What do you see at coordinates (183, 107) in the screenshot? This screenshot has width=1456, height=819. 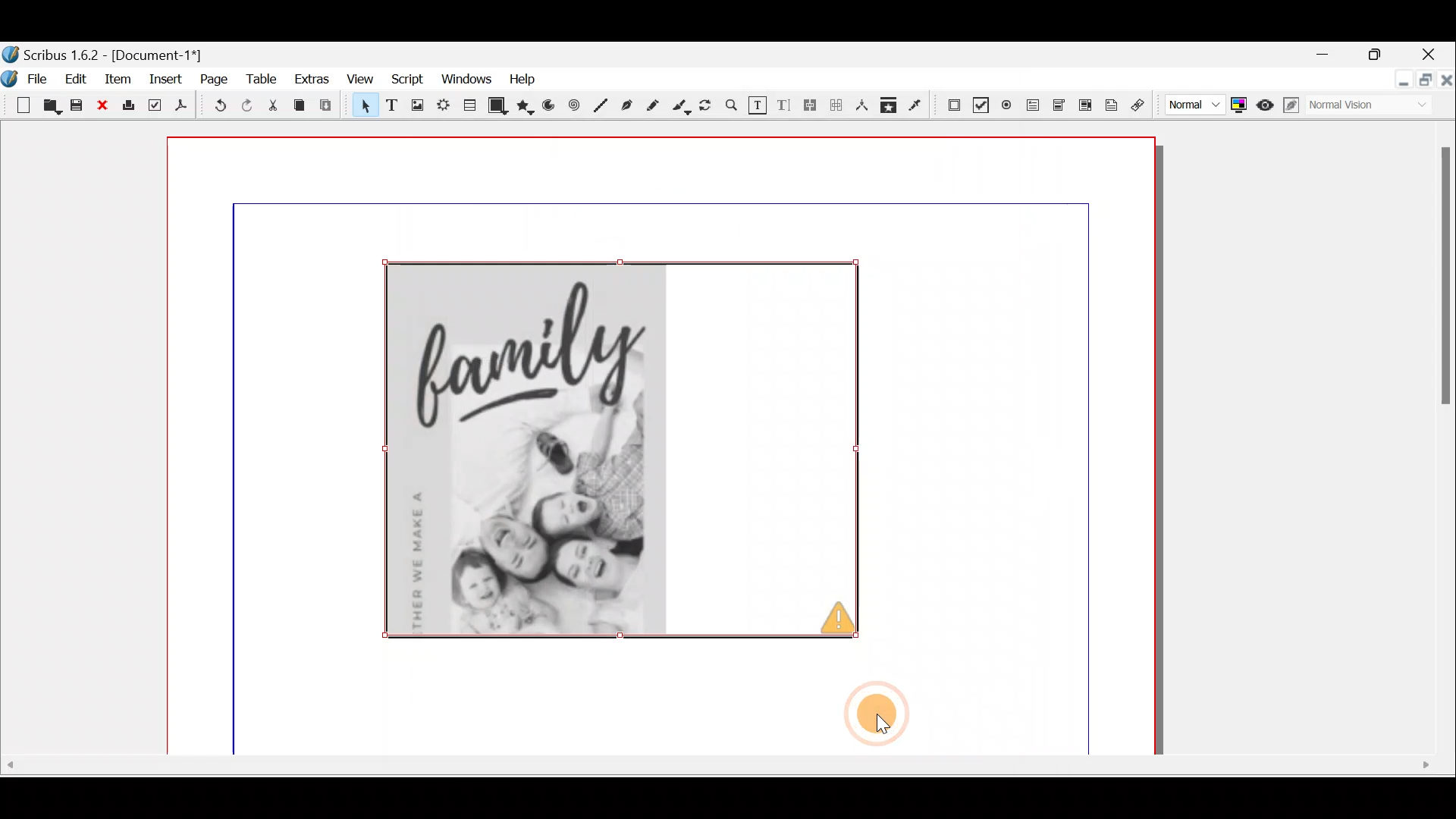 I see `Save as PDF` at bounding box center [183, 107].